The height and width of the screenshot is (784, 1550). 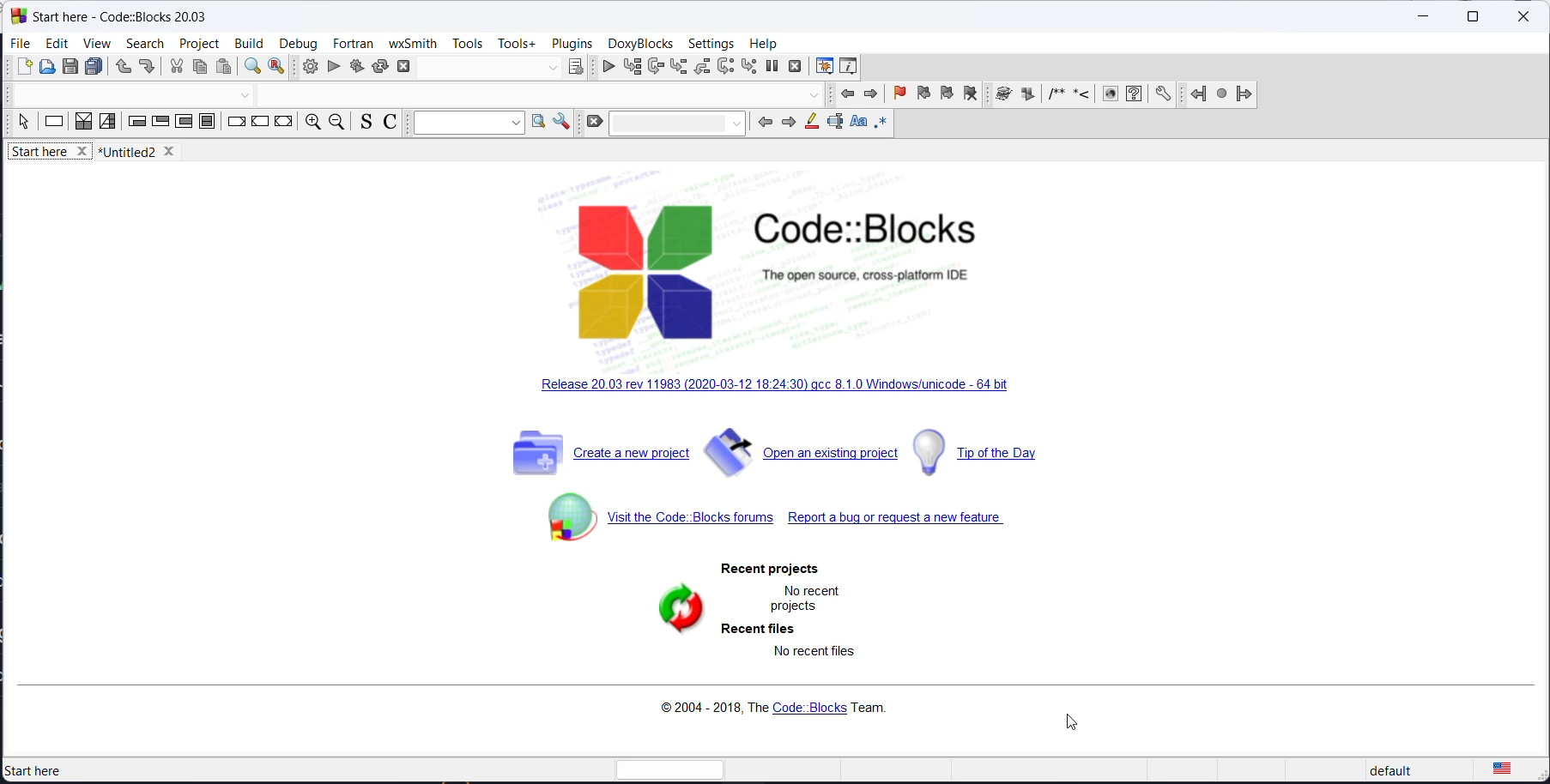 What do you see at coordinates (160, 124) in the screenshot?
I see `exit condition loop` at bounding box center [160, 124].